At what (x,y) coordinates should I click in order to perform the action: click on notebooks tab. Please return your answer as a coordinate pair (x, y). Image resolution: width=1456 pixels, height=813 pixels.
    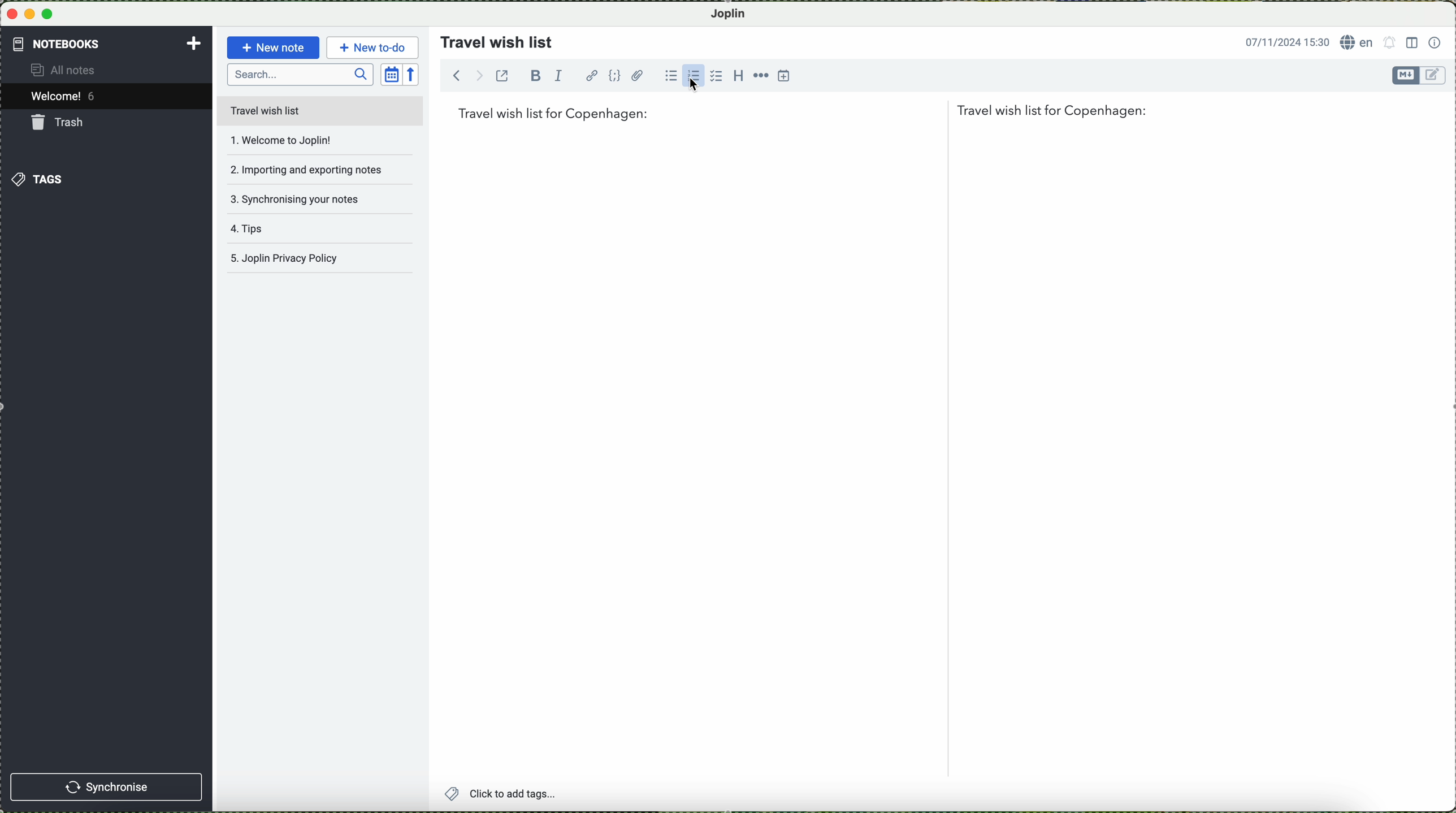
    Looking at the image, I should click on (107, 44).